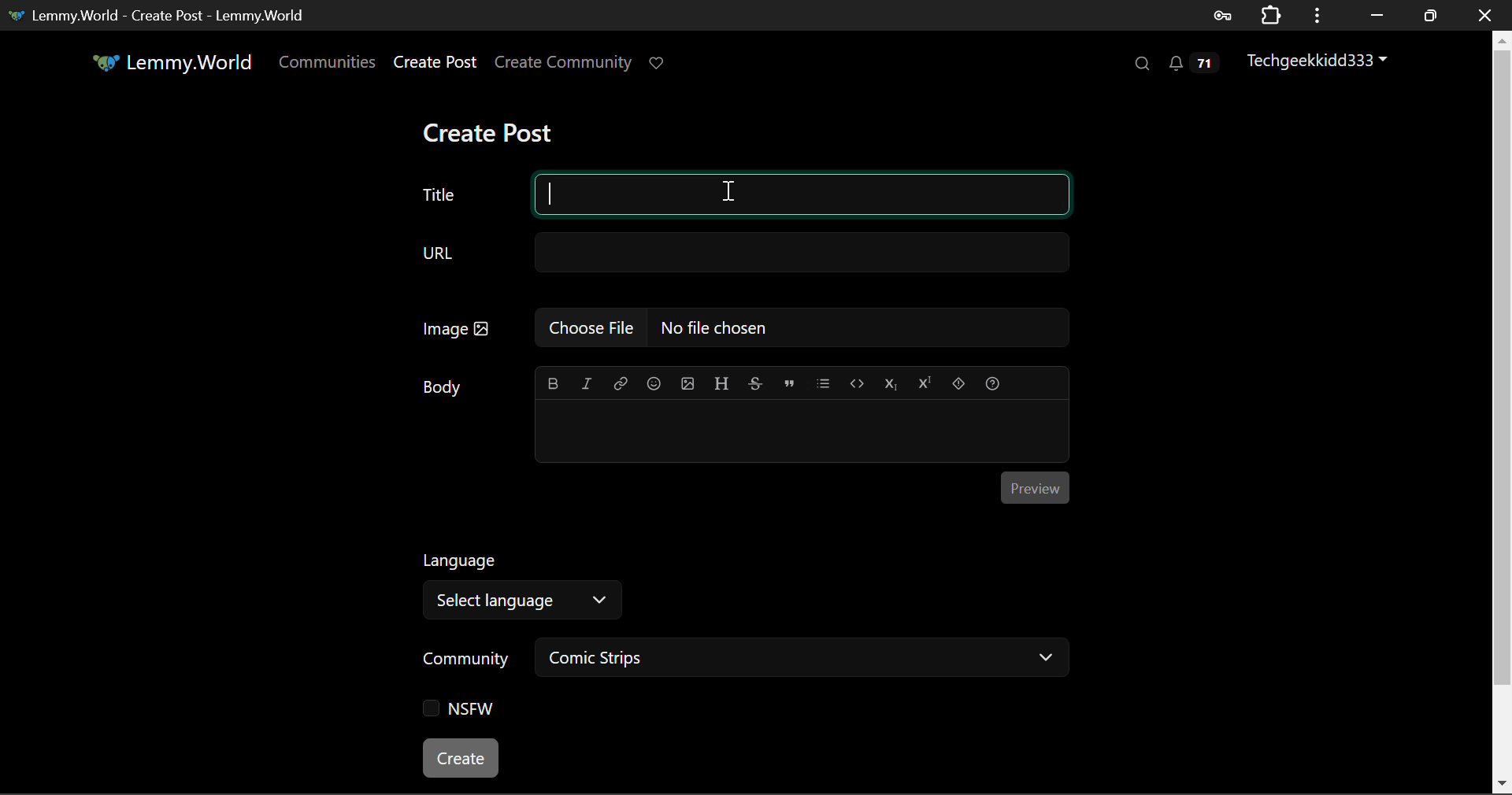 Image resolution: width=1512 pixels, height=795 pixels. Describe the element at coordinates (855, 381) in the screenshot. I see `code` at that location.